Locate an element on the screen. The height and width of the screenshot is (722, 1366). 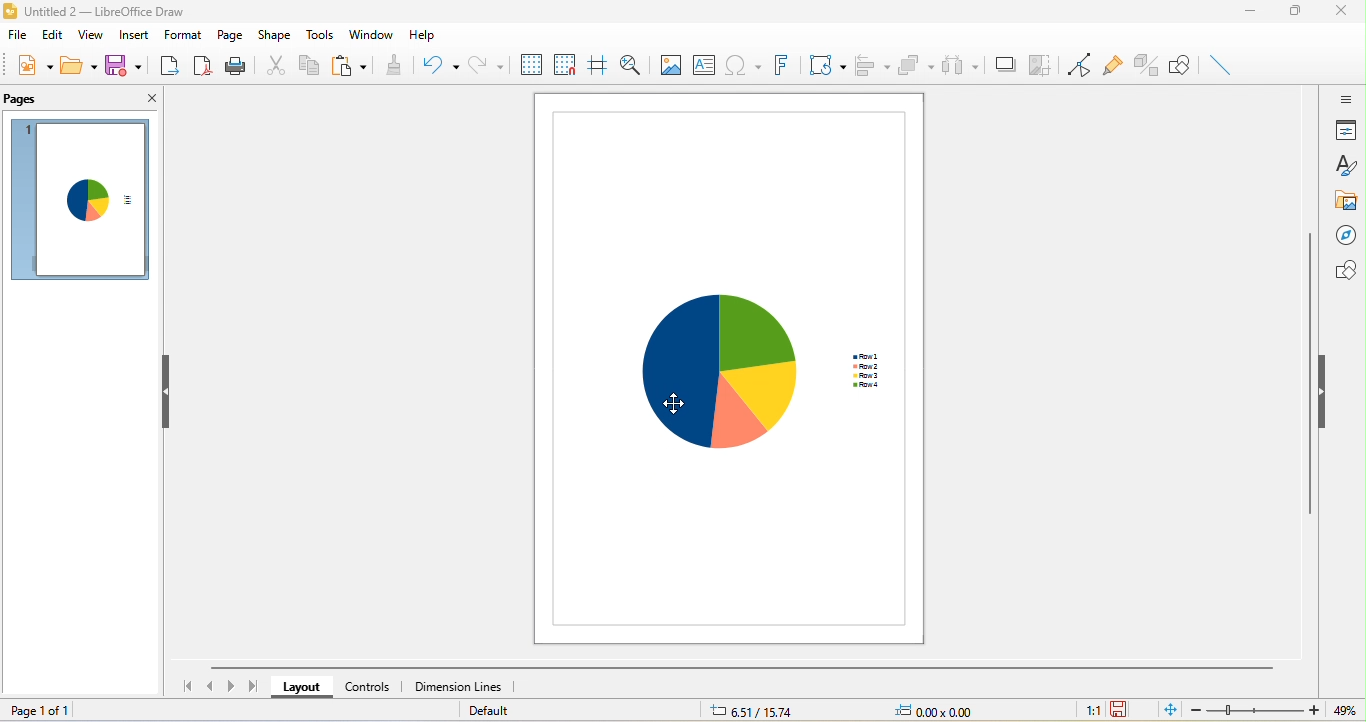
display grid is located at coordinates (532, 64).